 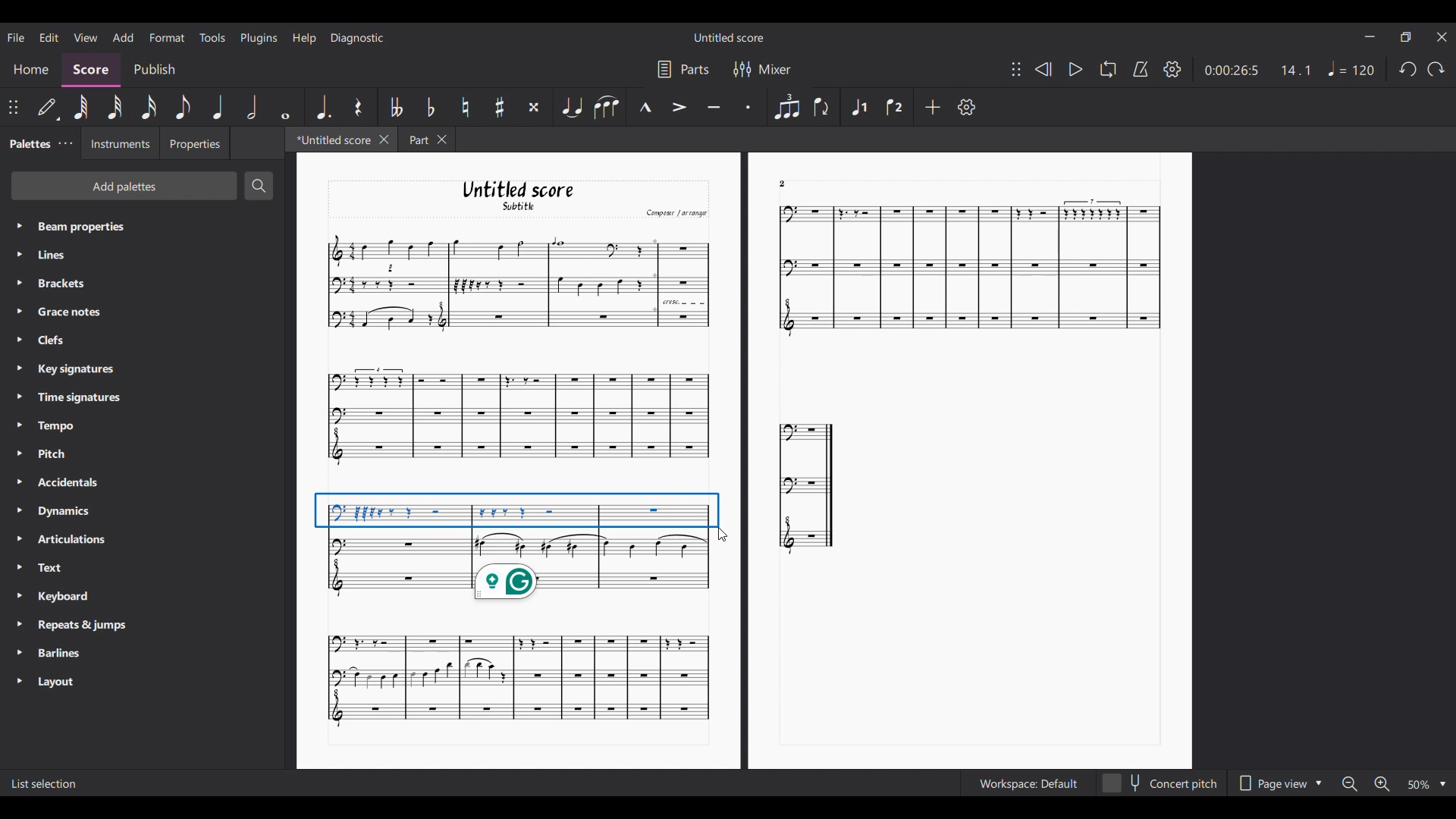 I want to click on 8th note, so click(x=183, y=107).